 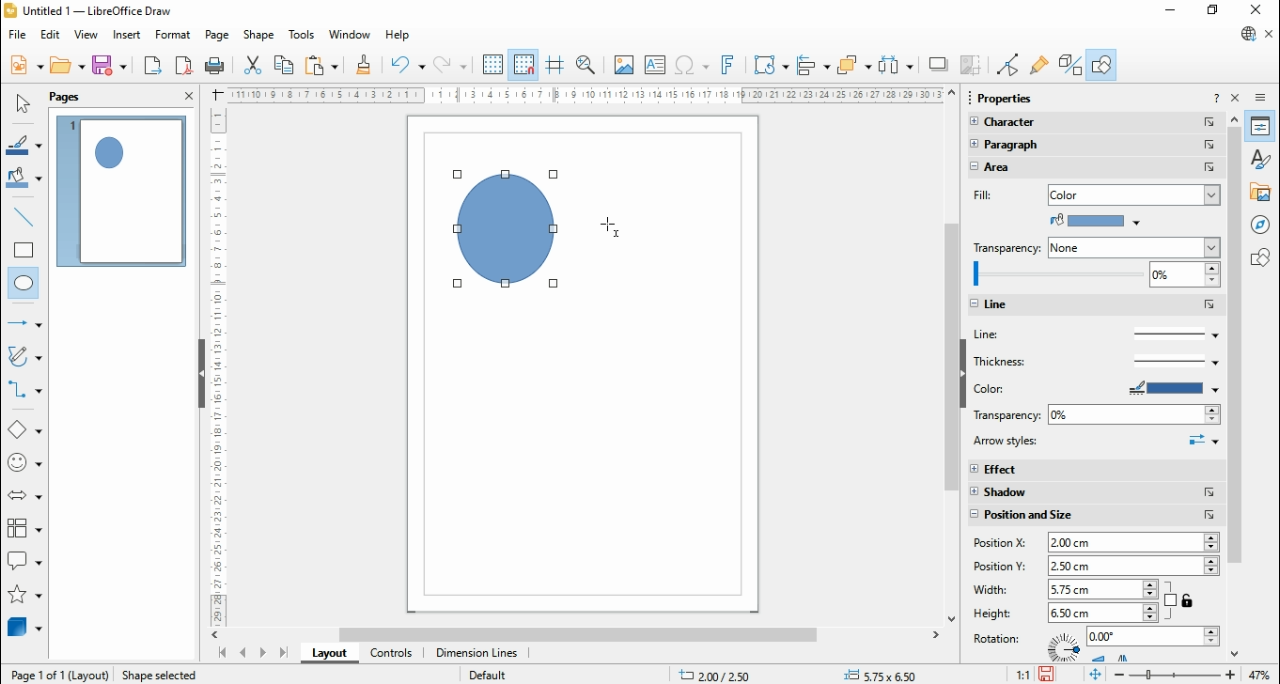 I want to click on Cursor, so click(x=612, y=223).